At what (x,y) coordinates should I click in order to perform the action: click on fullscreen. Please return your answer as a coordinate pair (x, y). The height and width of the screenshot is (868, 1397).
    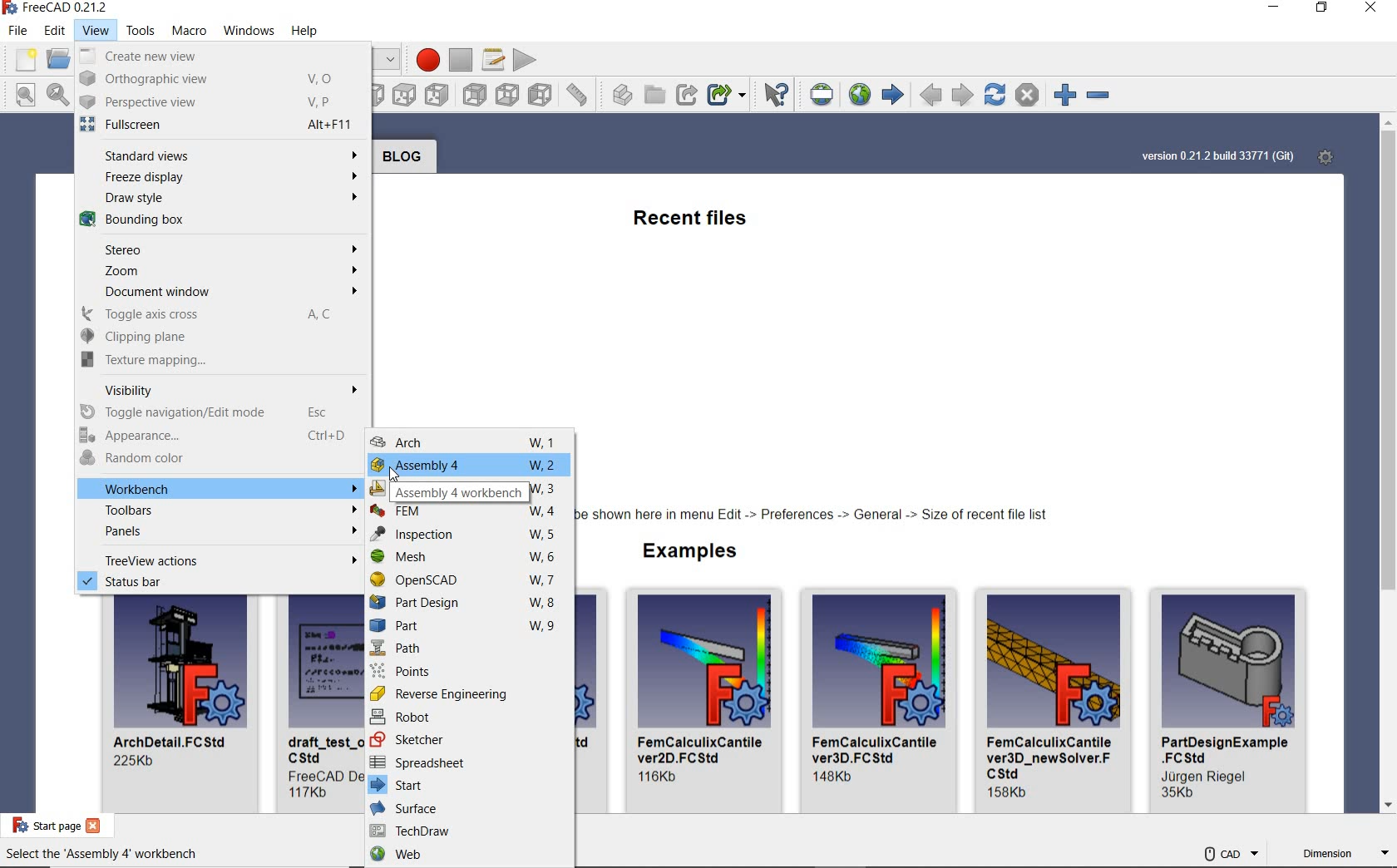
    Looking at the image, I should click on (220, 126).